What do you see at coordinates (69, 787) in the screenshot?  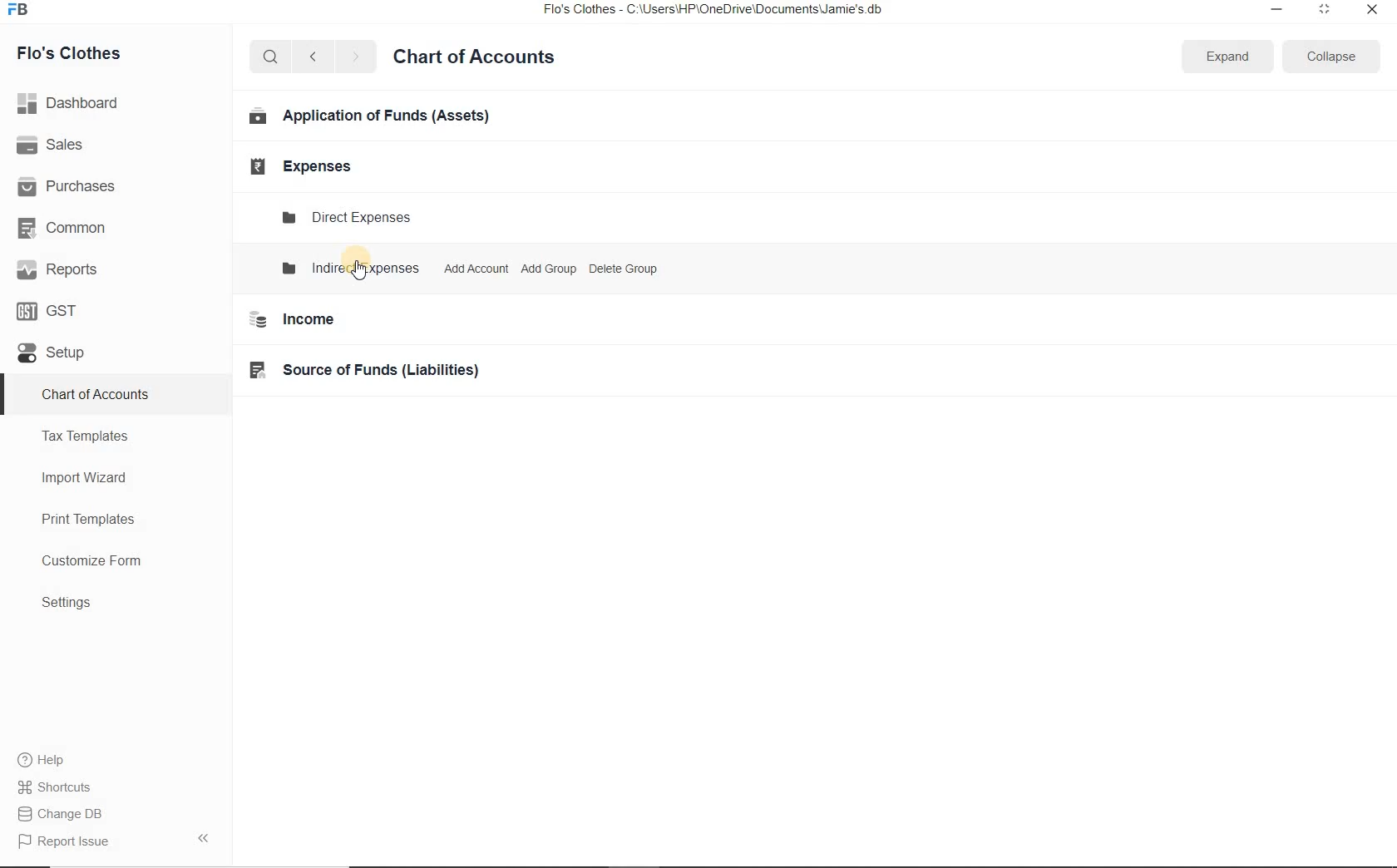 I see `Shortcuts` at bounding box center [69, 787].